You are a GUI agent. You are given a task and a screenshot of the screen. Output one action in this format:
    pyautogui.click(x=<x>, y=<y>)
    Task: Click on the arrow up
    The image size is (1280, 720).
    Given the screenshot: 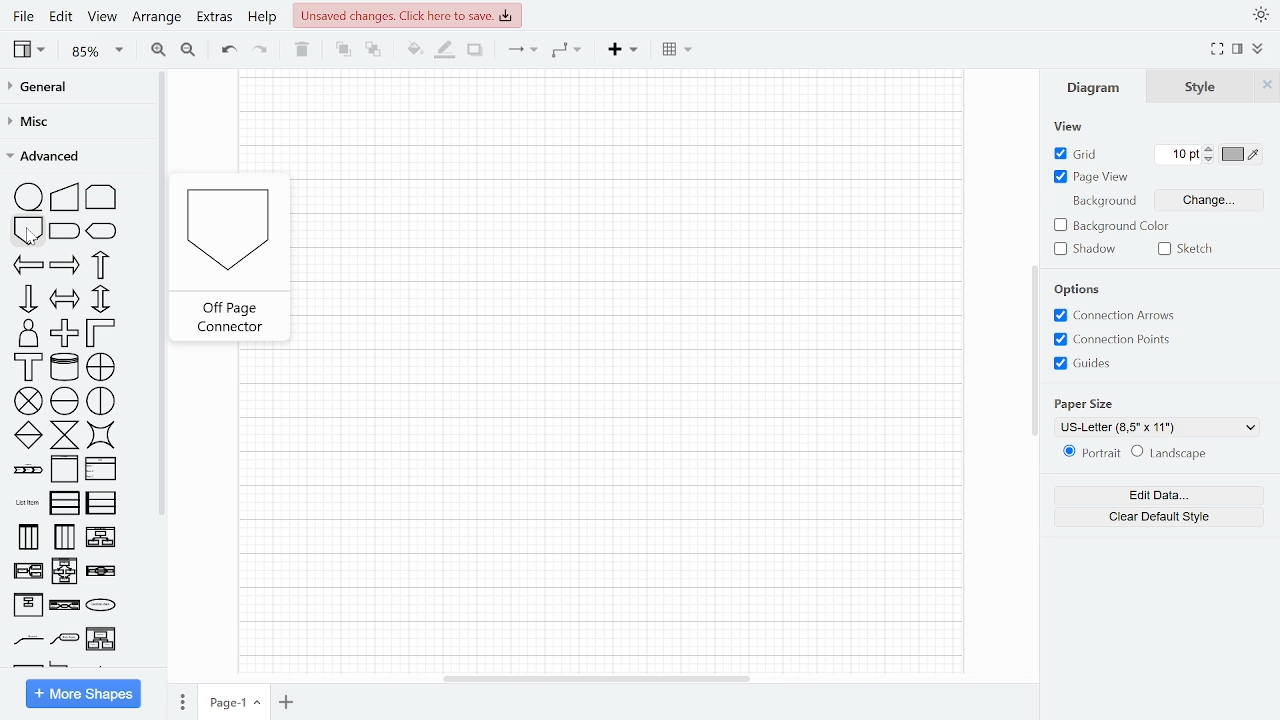 What is the action you would take?
    pyautogui.click(x=98, y=265)
    